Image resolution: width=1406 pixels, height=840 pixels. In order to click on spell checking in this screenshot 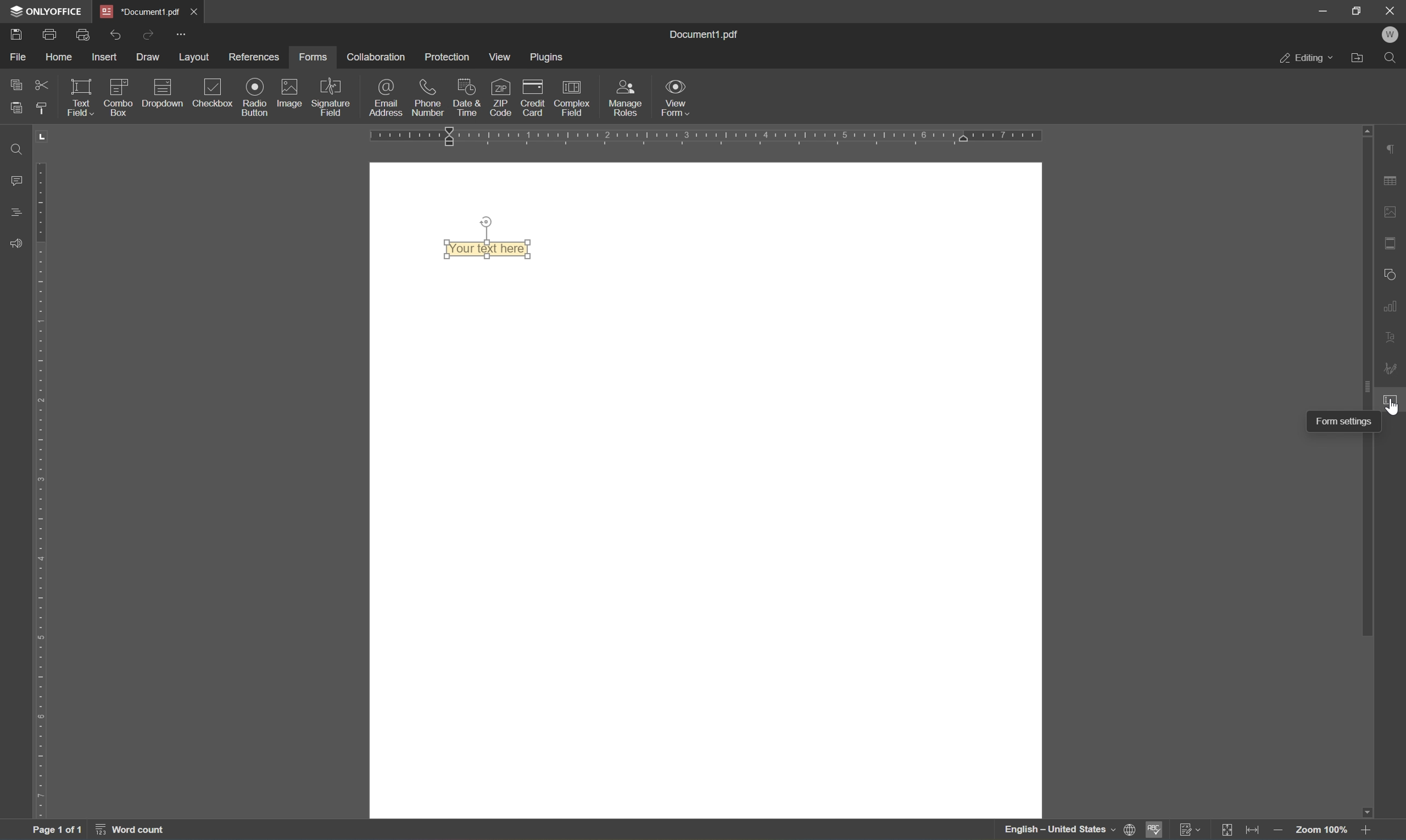, I will do `click(1154, 830)`.